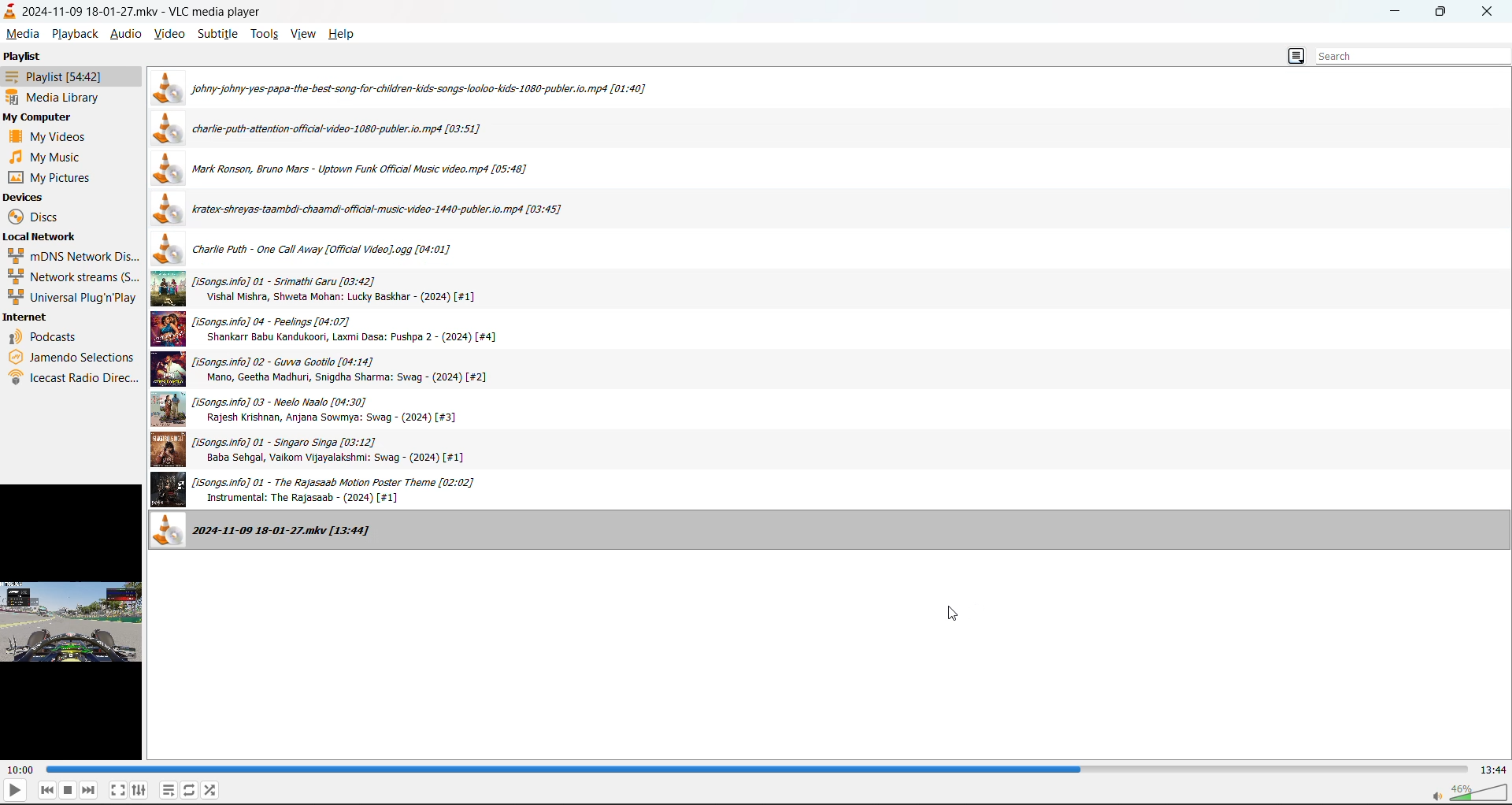 Image resolution: width=1512 pixels, height=805 pixels. I want to click on tracks without duration, so click(330, 129).